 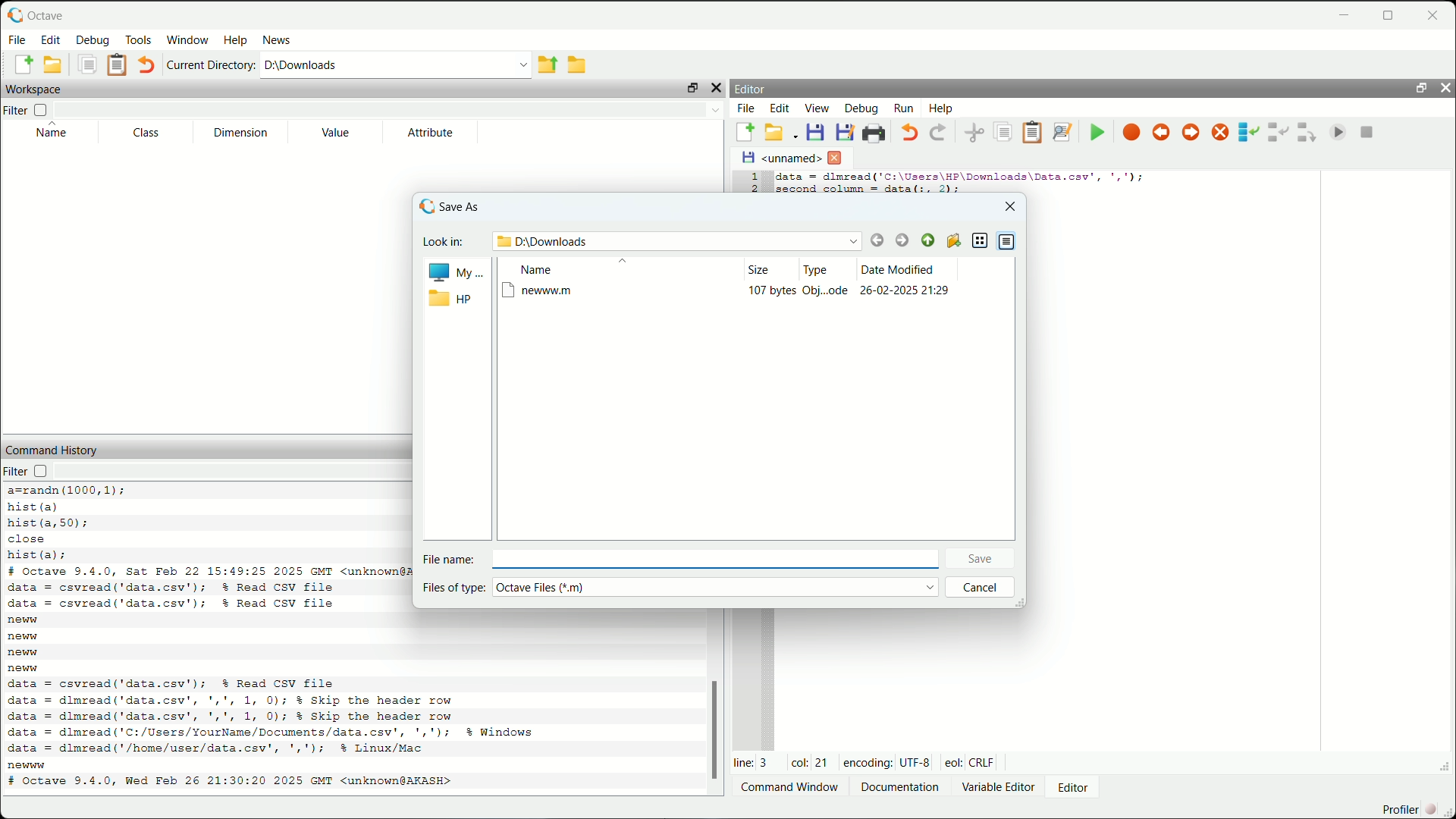 I want to click on quit debug mode, so click(x=1369, y=129).